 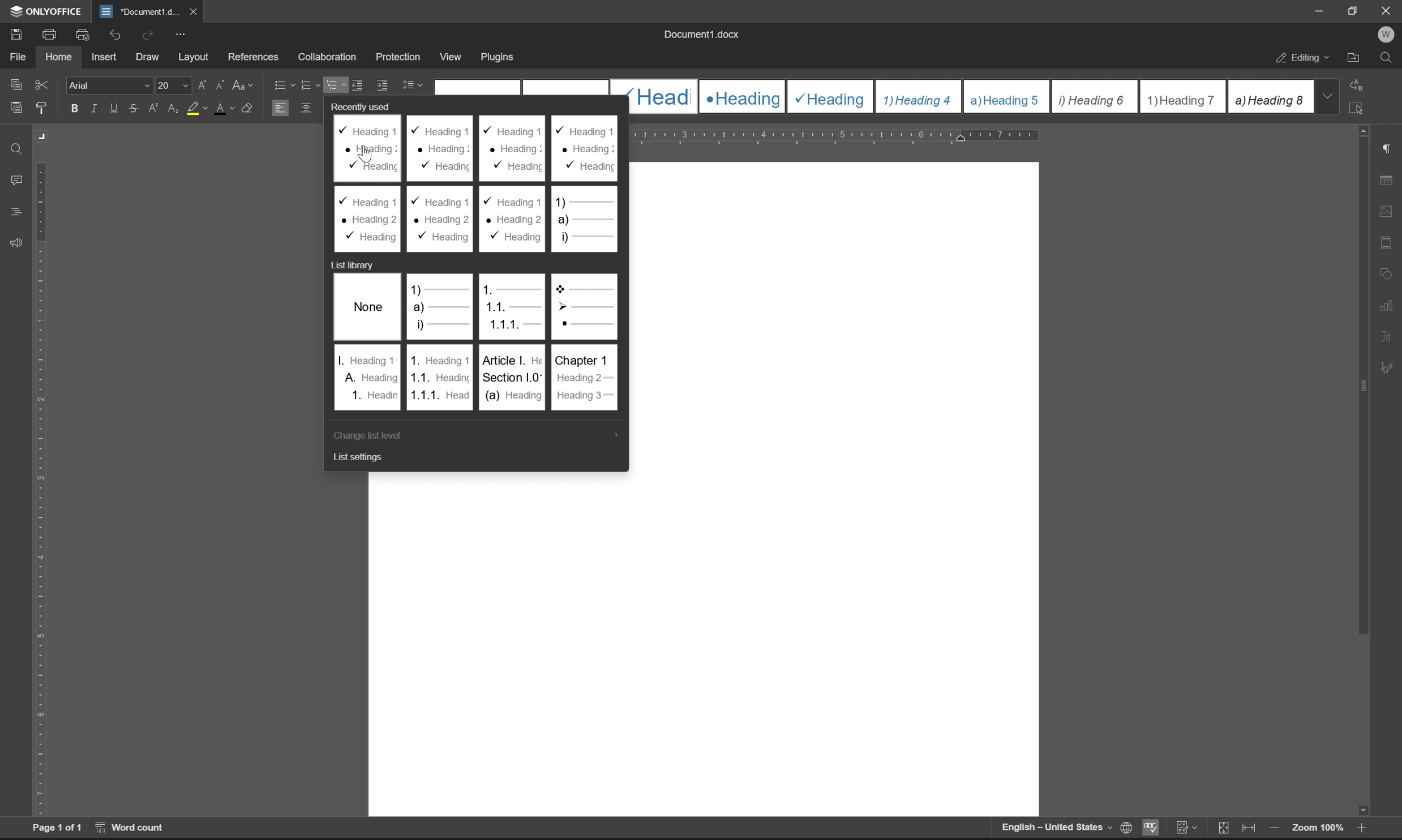 What do you see at coordinates (53, 33) in the screenshot?
I see `print` at bounding box center [53, 33].